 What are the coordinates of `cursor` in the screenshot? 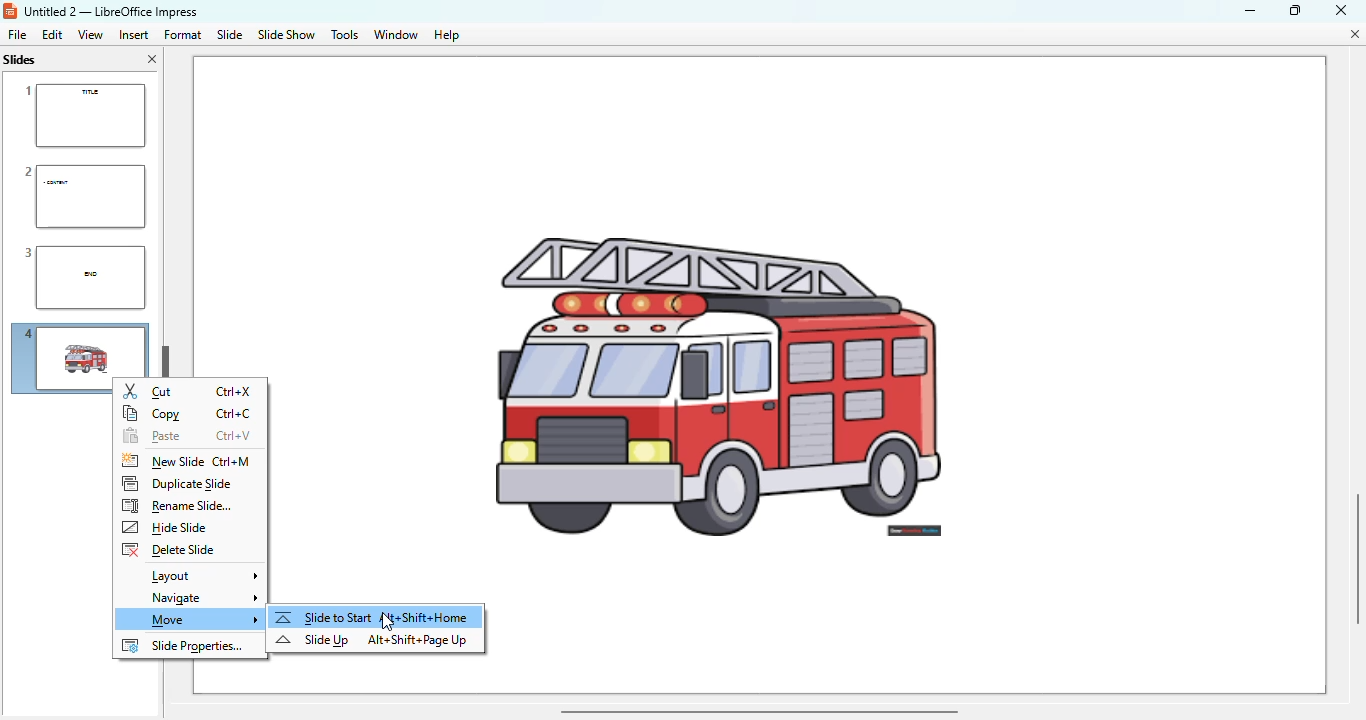 It's located at (388, 622).